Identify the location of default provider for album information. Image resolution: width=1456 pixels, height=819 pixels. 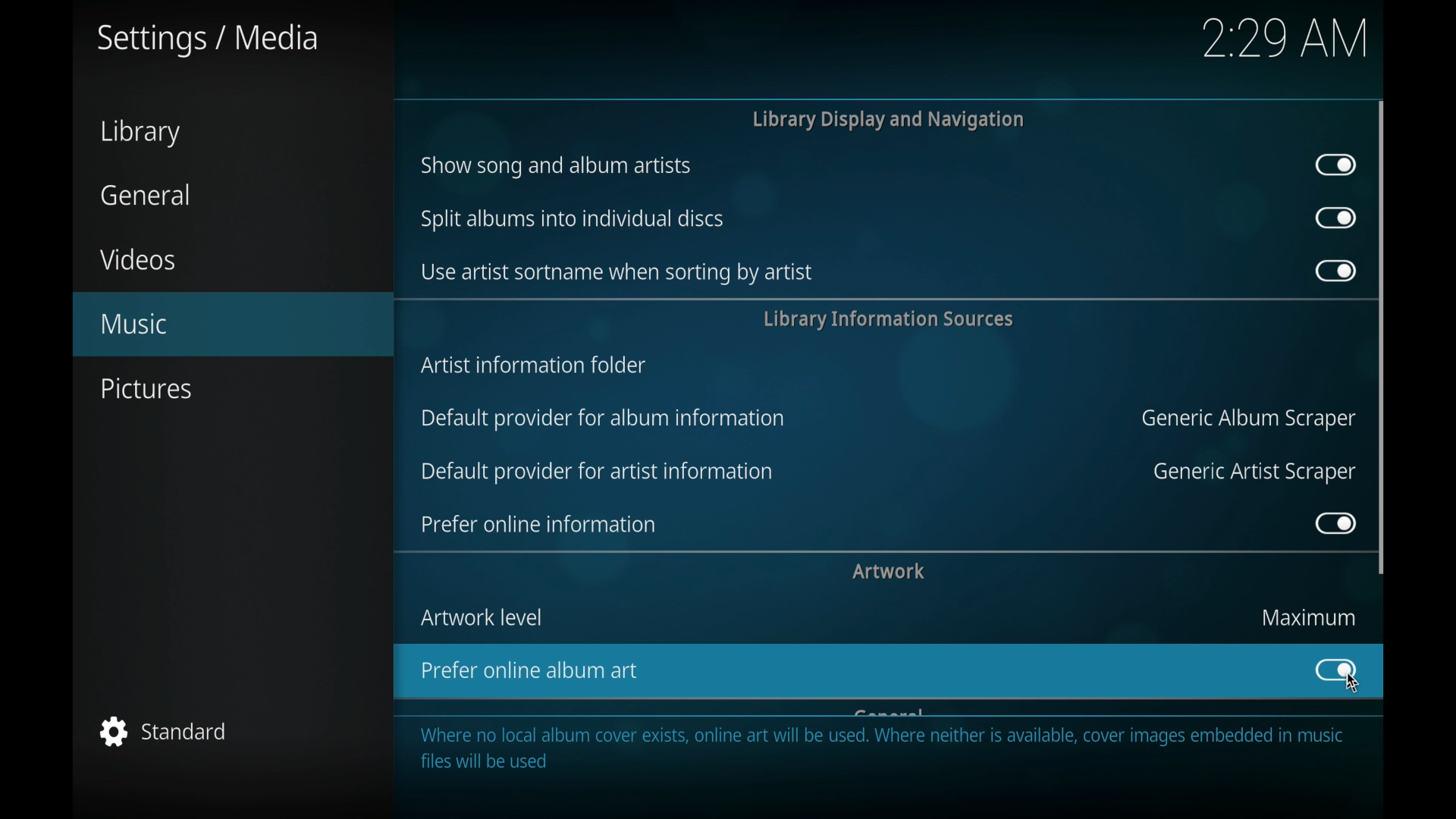
(604, 419).